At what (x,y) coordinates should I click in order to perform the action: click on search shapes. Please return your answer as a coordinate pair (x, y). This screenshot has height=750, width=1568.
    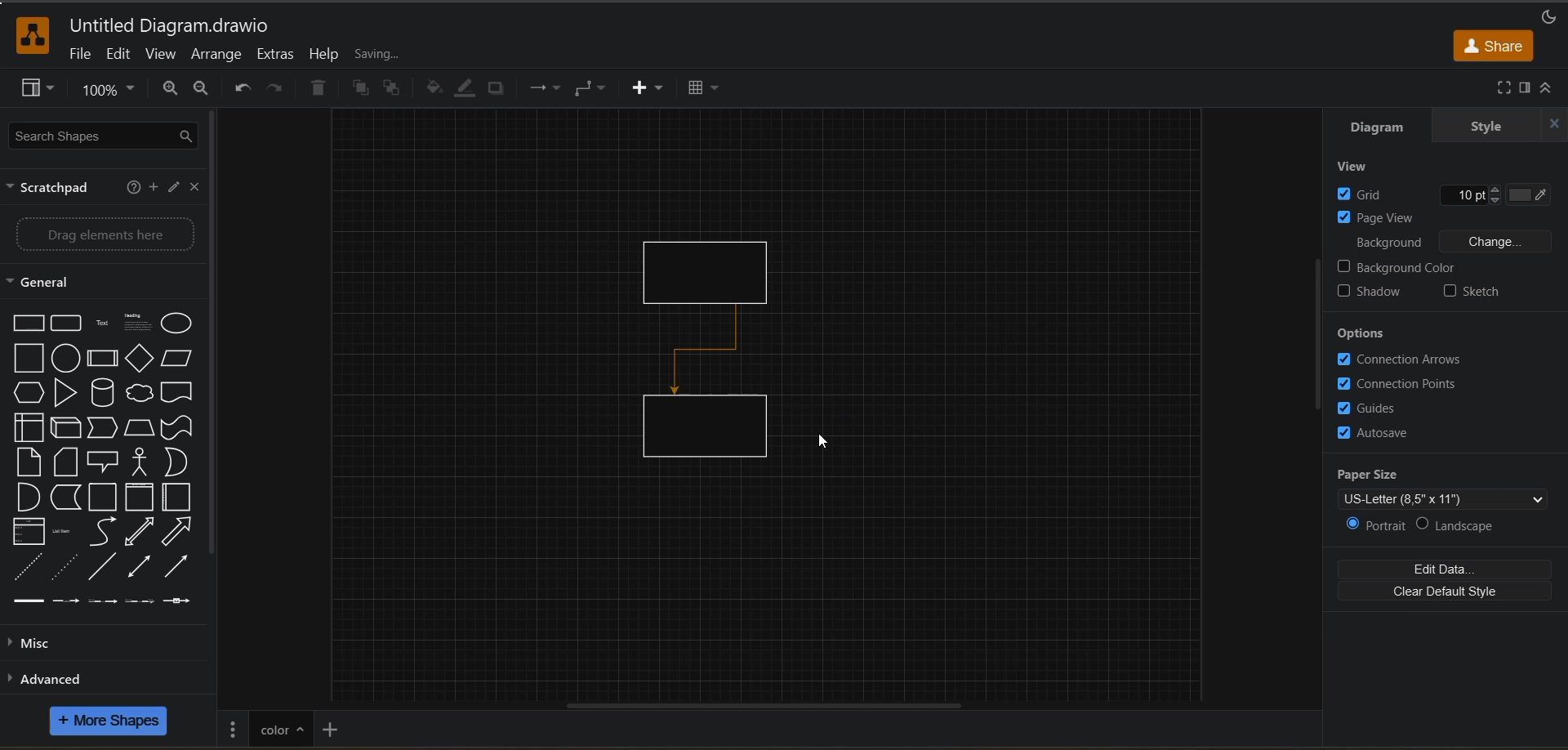
    Looking at the image, I should click on (105, 137).